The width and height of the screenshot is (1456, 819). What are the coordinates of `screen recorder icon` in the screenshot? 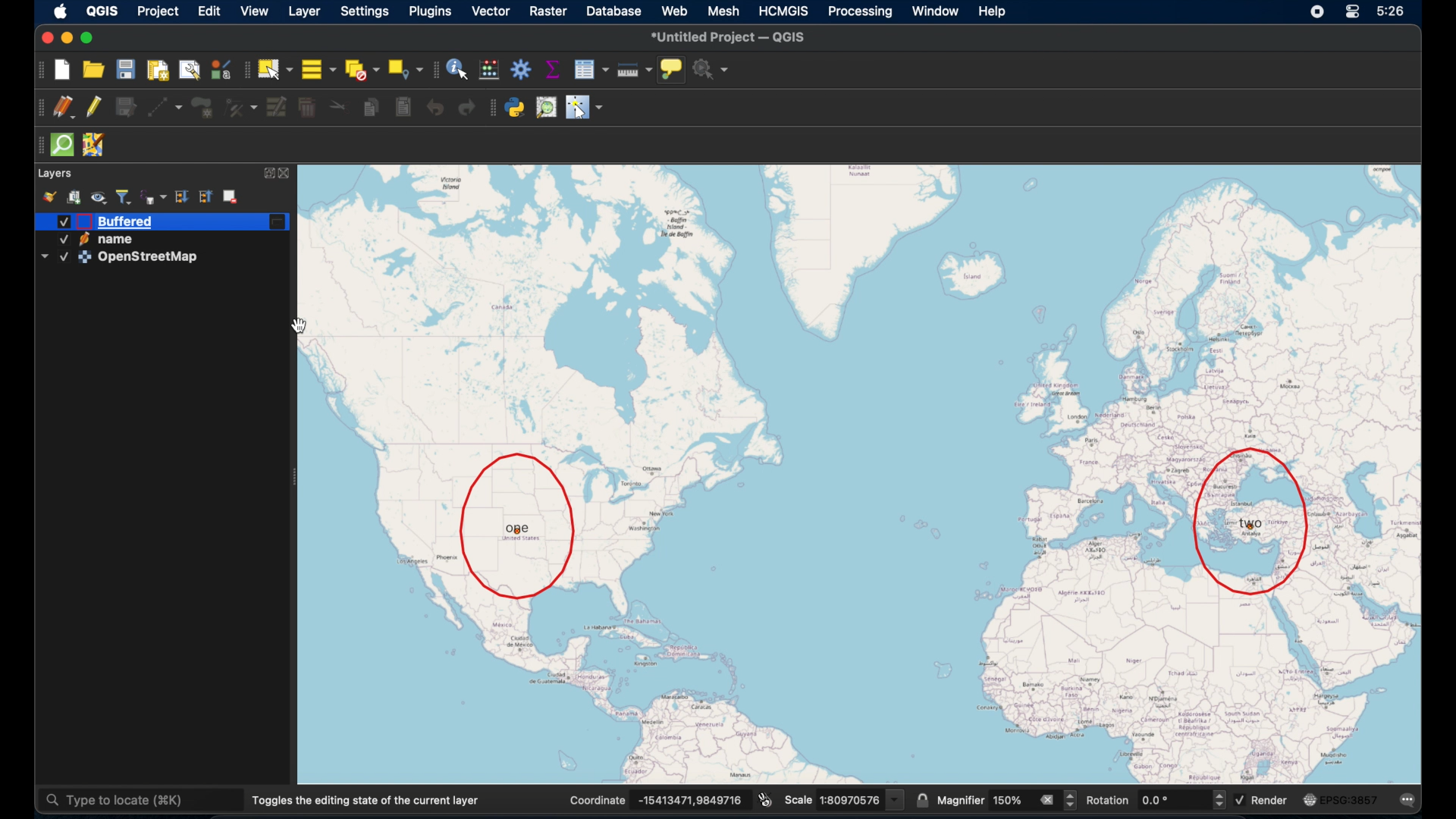 It's located at (1314, 11).